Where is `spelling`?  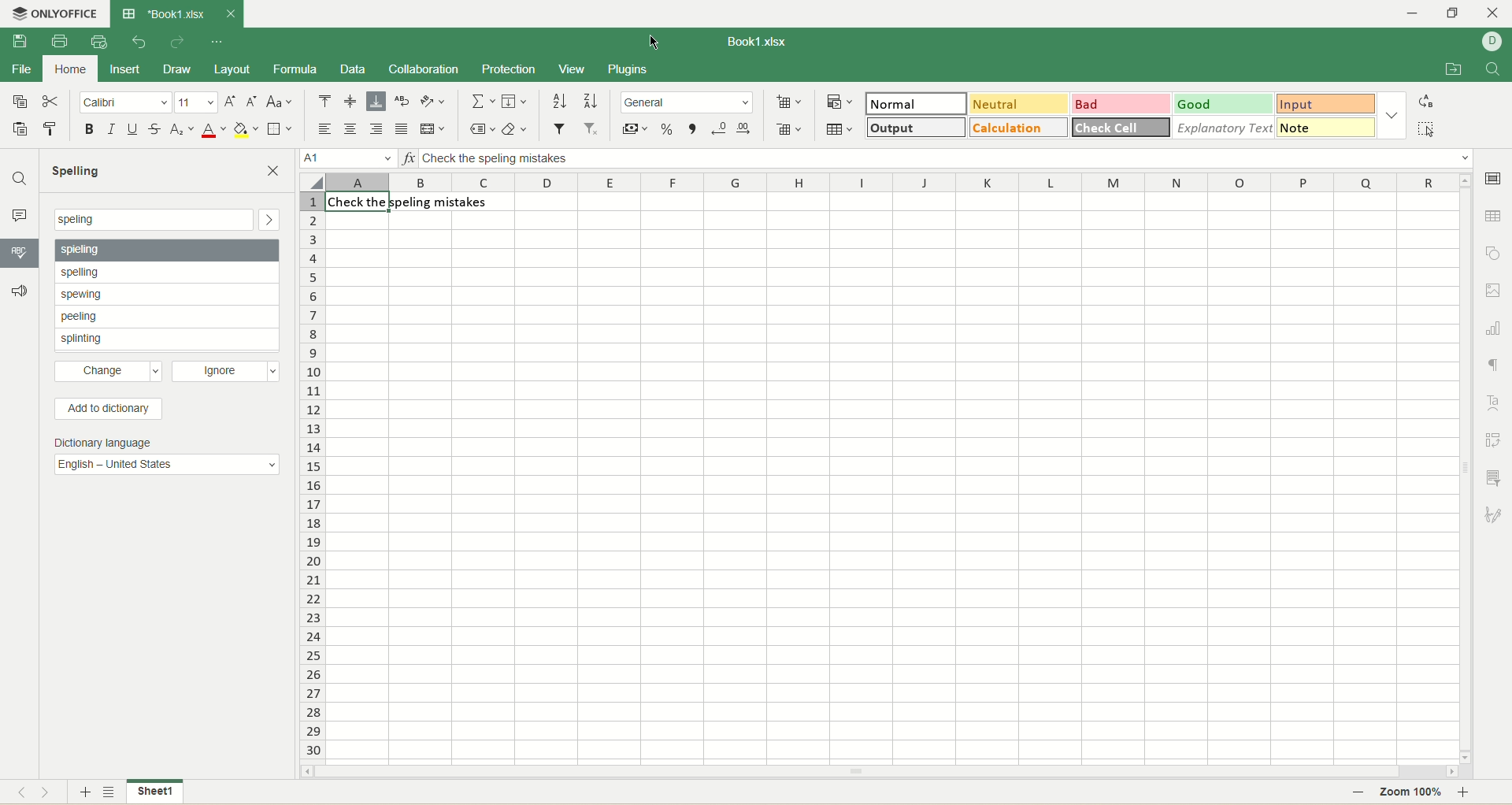
spelling is located at coordinates (80, 171).